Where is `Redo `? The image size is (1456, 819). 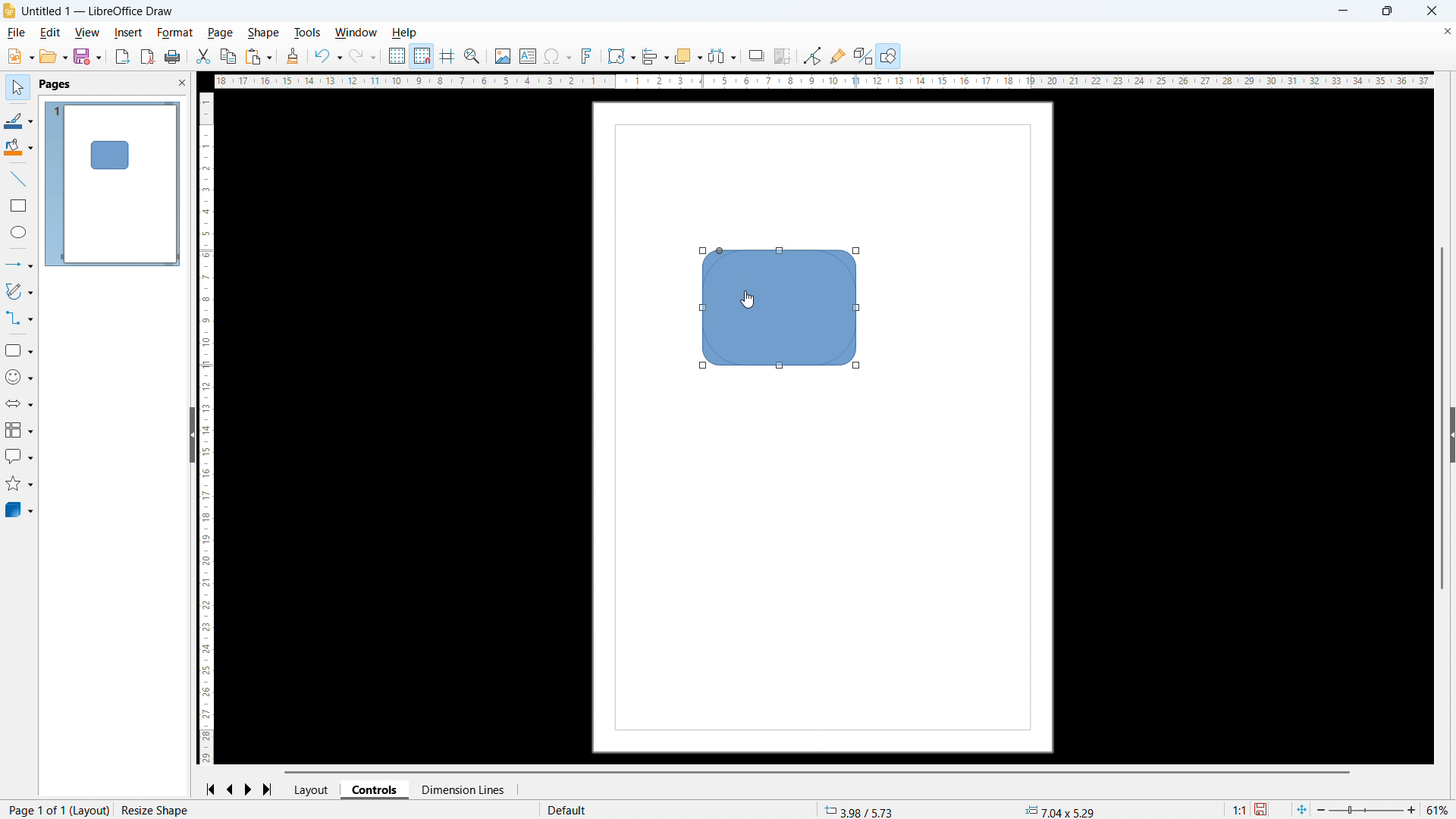 Redo  is located at coordinates (363, 57).